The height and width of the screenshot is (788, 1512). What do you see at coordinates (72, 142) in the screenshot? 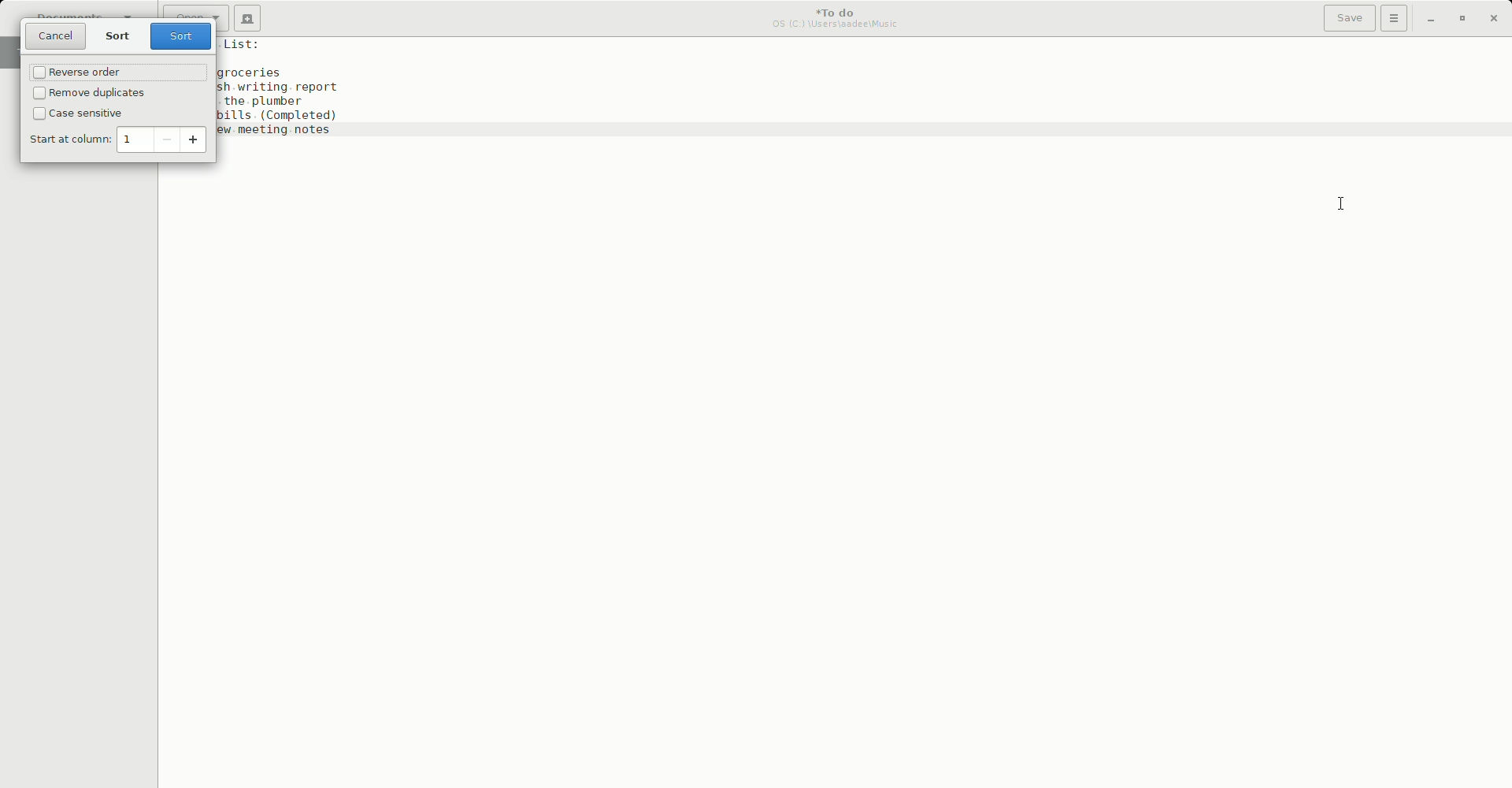
I see `Start at column` at bounding box center [72, 142].